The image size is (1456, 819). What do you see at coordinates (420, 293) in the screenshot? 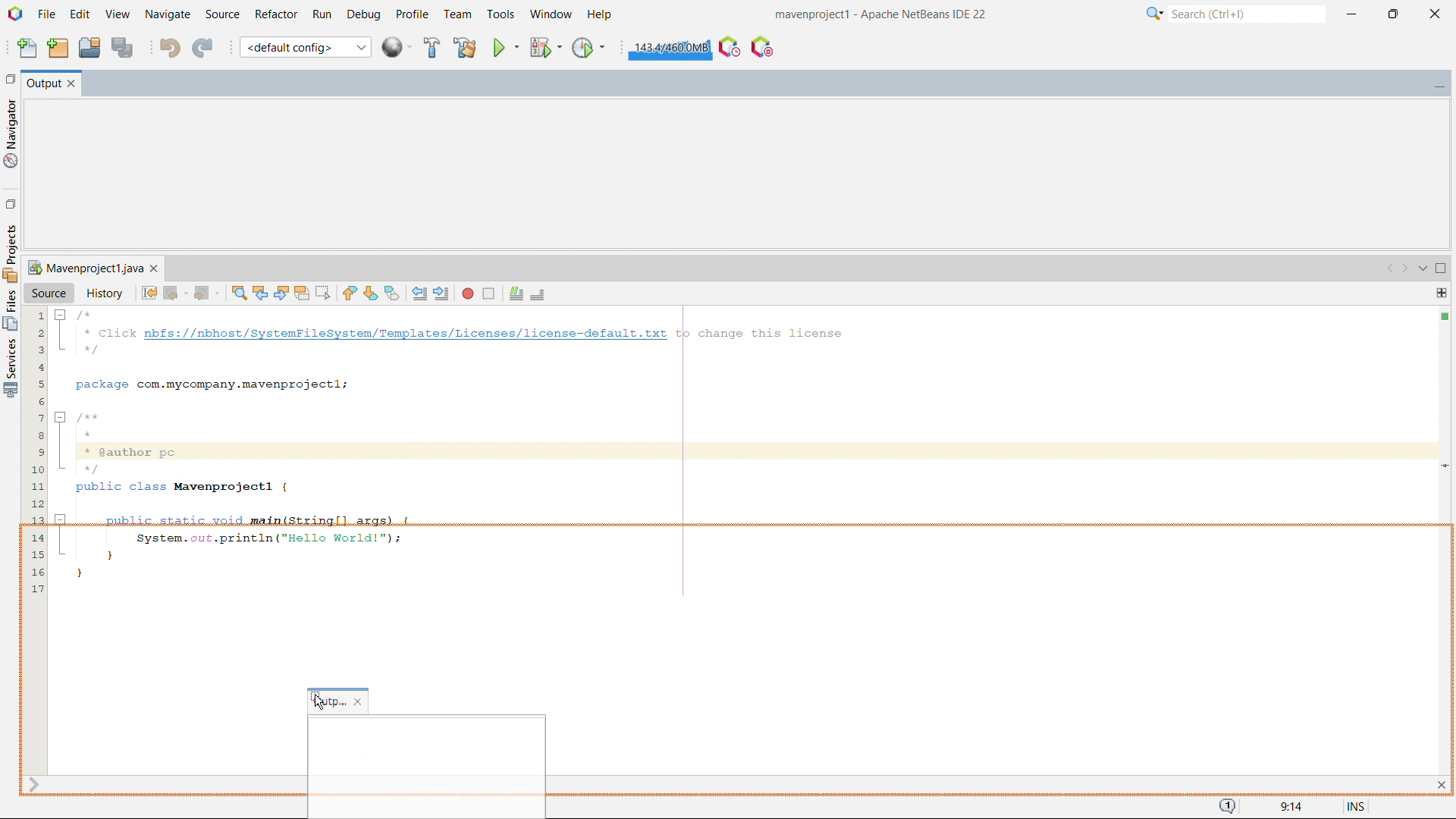
I see `shift line left` at bounding box center [420, 293].